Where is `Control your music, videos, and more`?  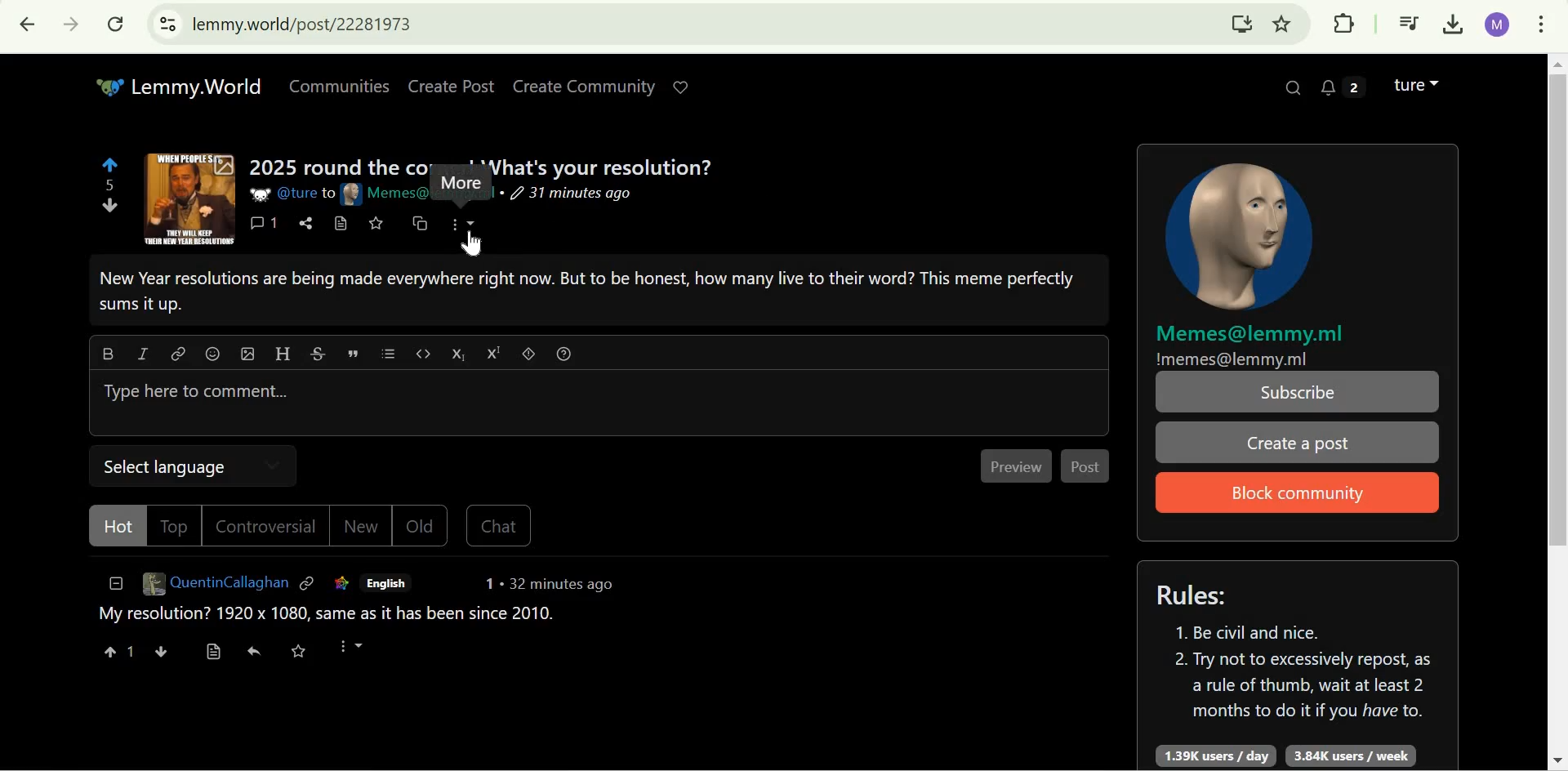 Control your music, videos, and more is located at coordinates (1410, 25).